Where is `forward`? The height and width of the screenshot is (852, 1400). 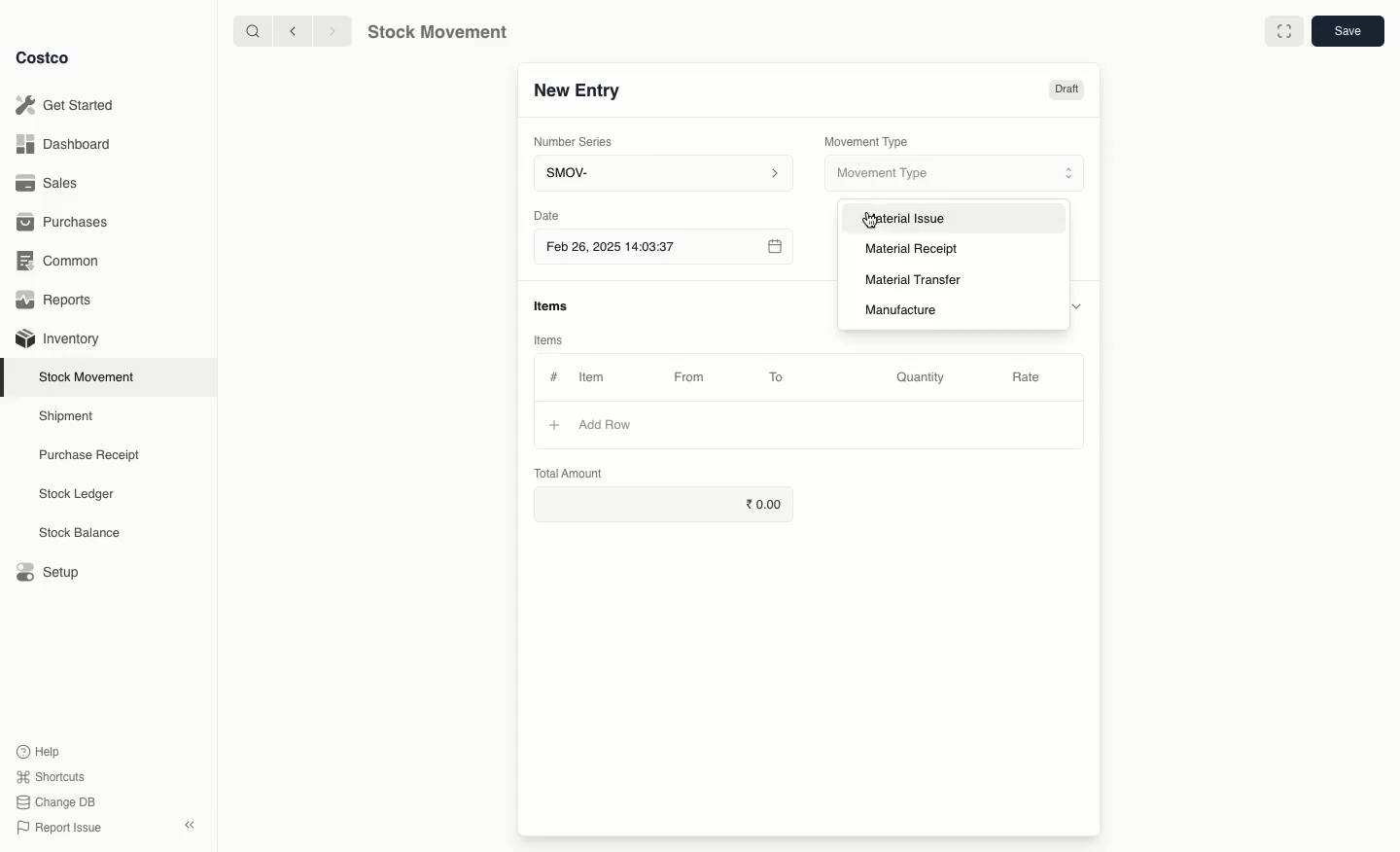
forward is located at coordinates (328, 30).